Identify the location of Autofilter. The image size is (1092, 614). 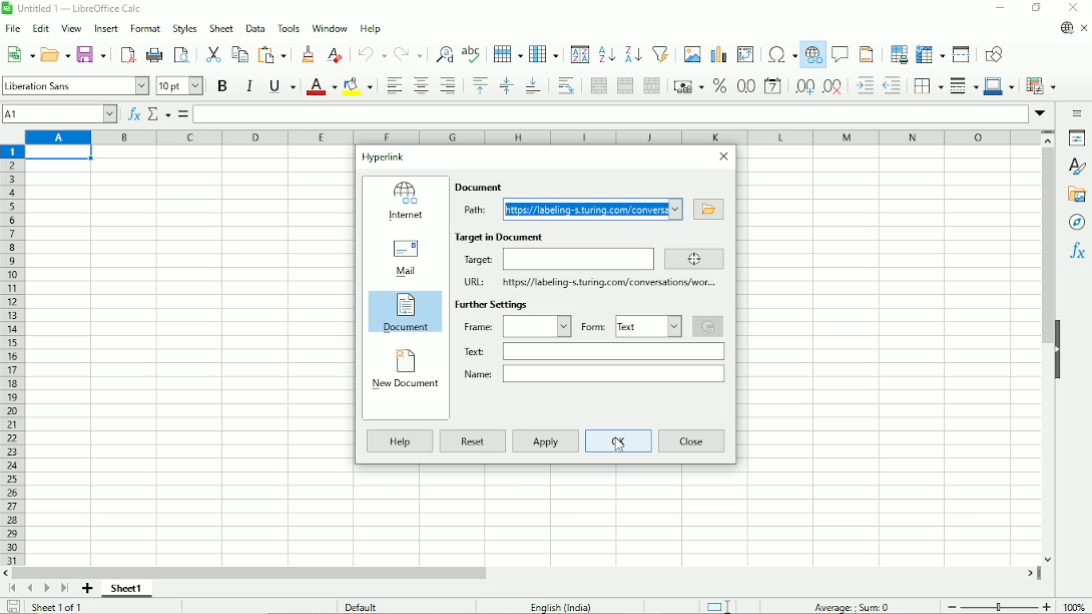
(660, 53).